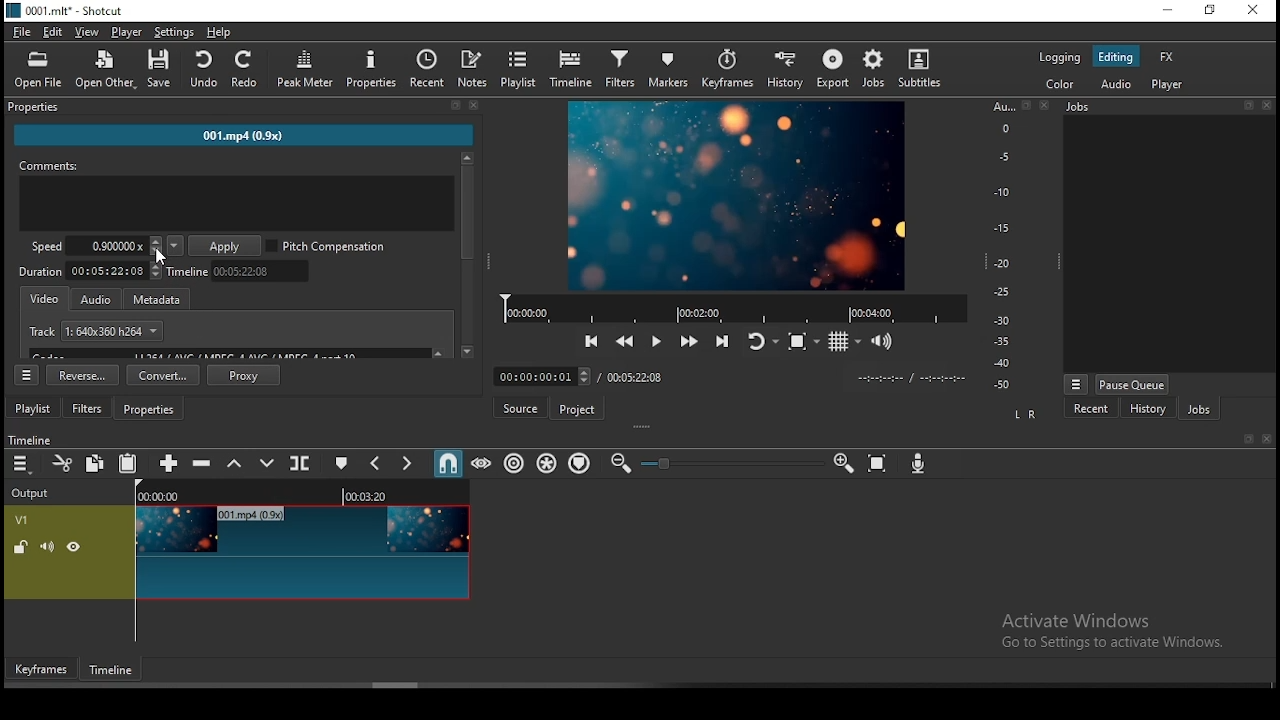 The width and height of the screenshot is (1280, 720). I want to click on play quickly forward, so click(691, 341).